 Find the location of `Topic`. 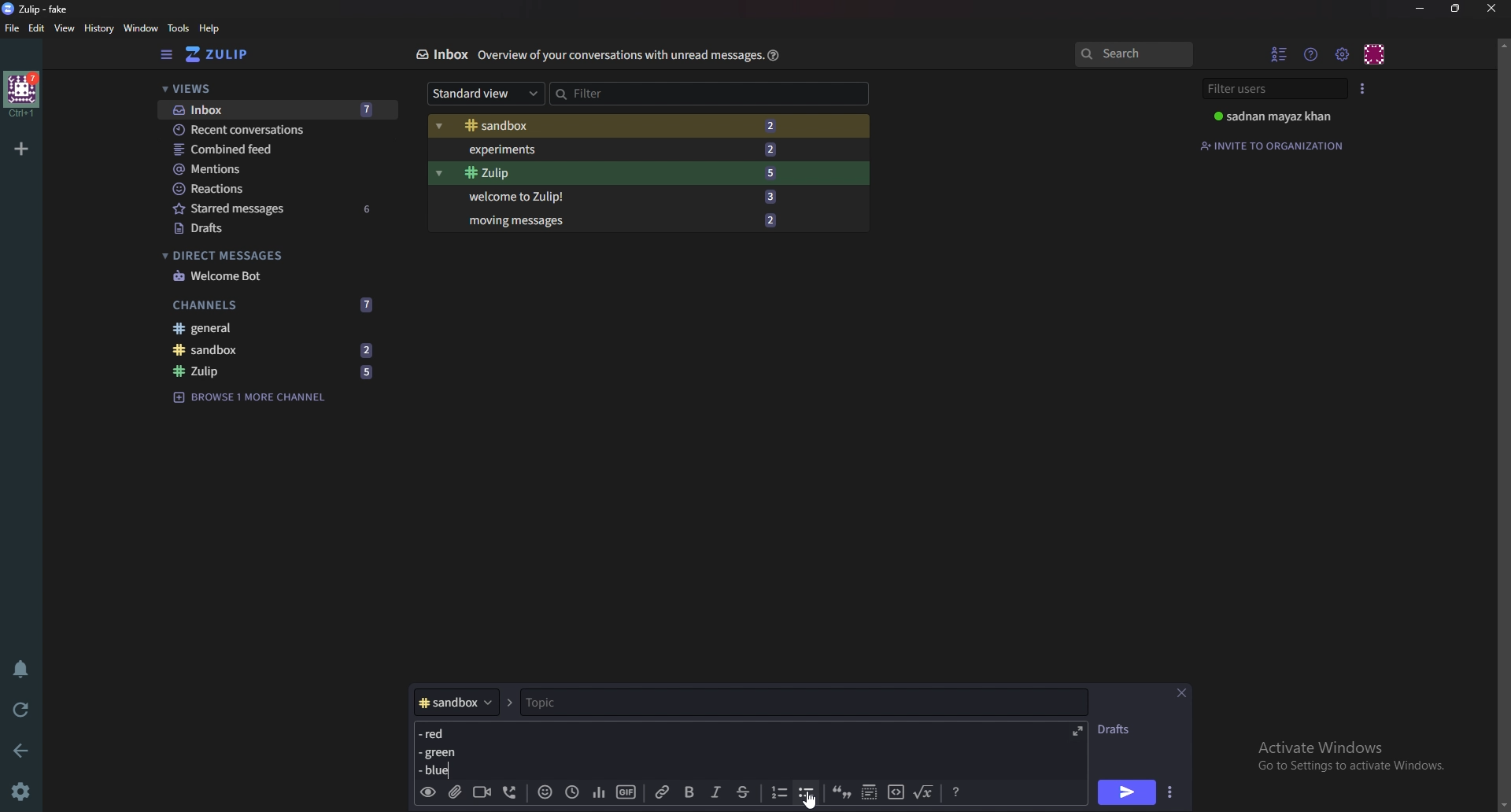

Topic is located at coordinates (792, 703).